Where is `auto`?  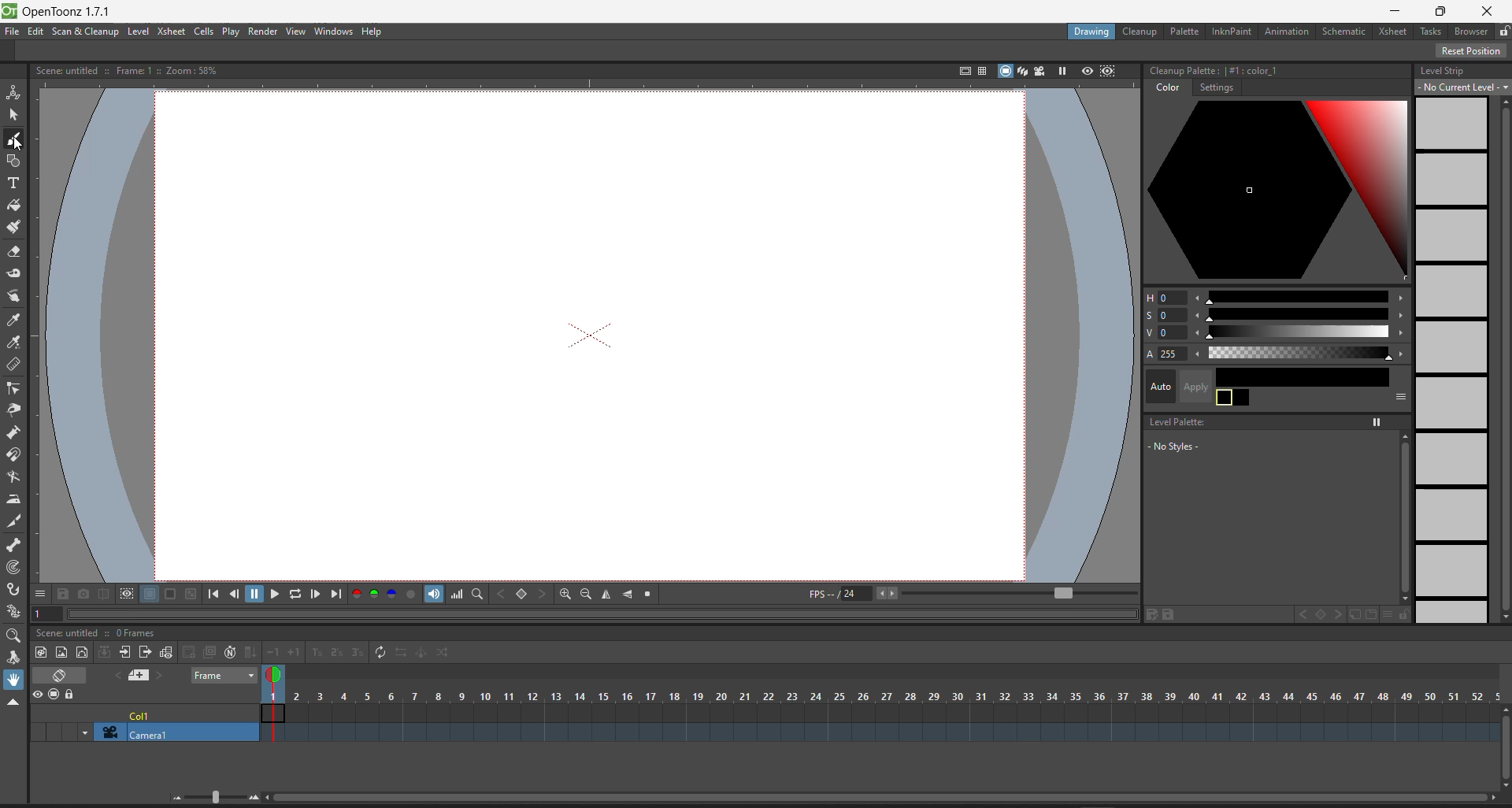
auto is located at coordinates (1158, 387).